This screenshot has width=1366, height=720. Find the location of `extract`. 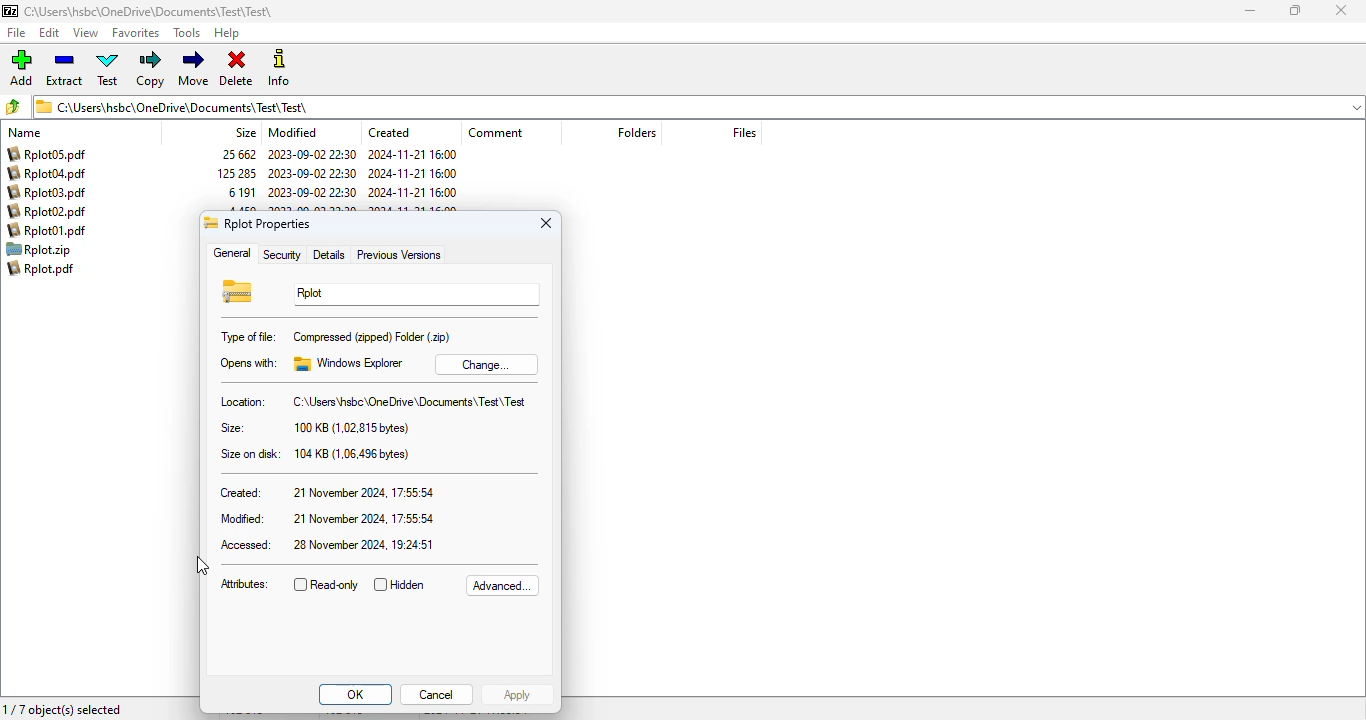

extract is located at coordinates (63, 68).